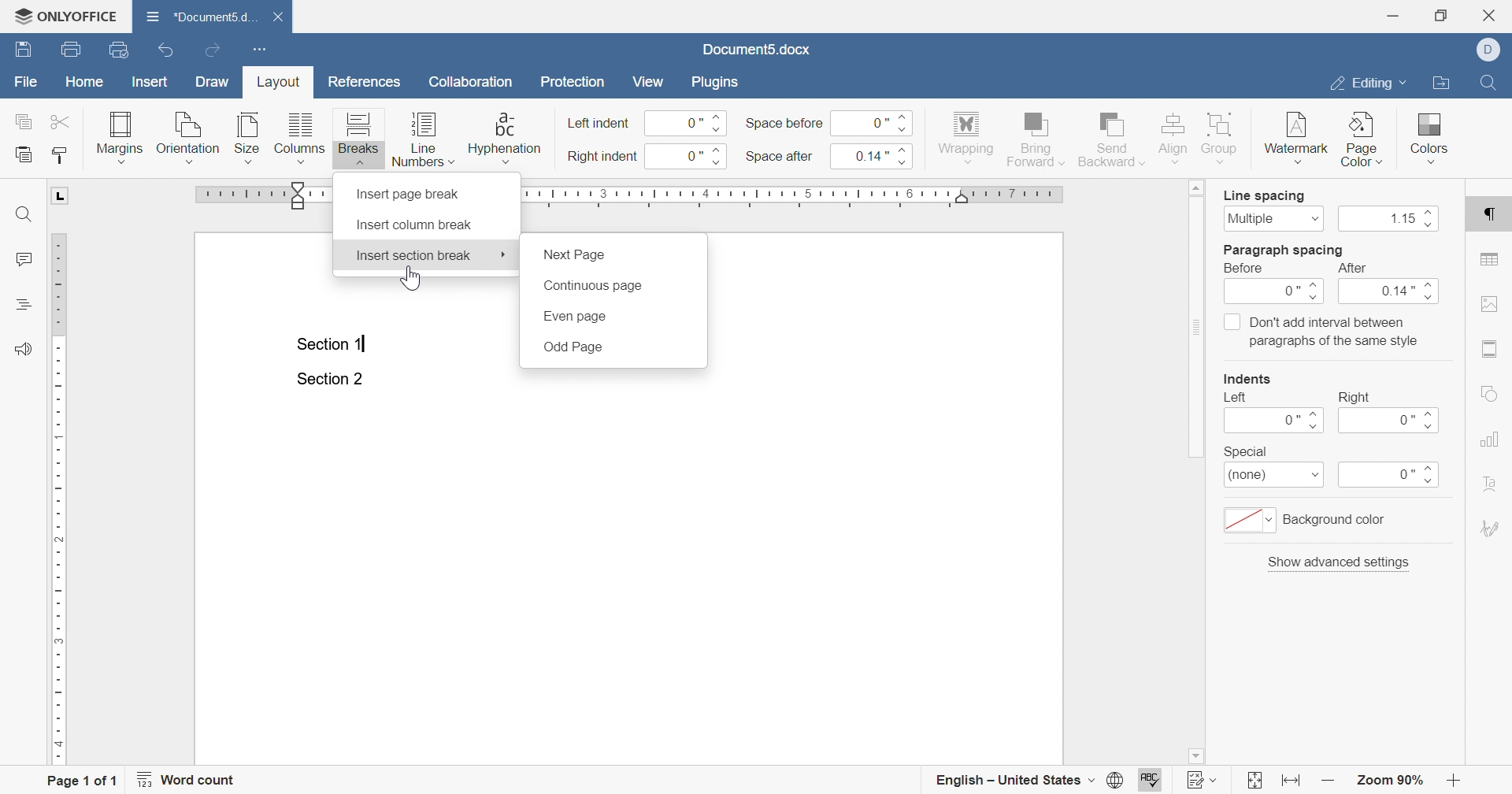 The width and height of the screenshot is (1512, 794). What do you see at coordinates (120, 136) in the screenshot?
I see `margins` at bounding box center [120, 136].